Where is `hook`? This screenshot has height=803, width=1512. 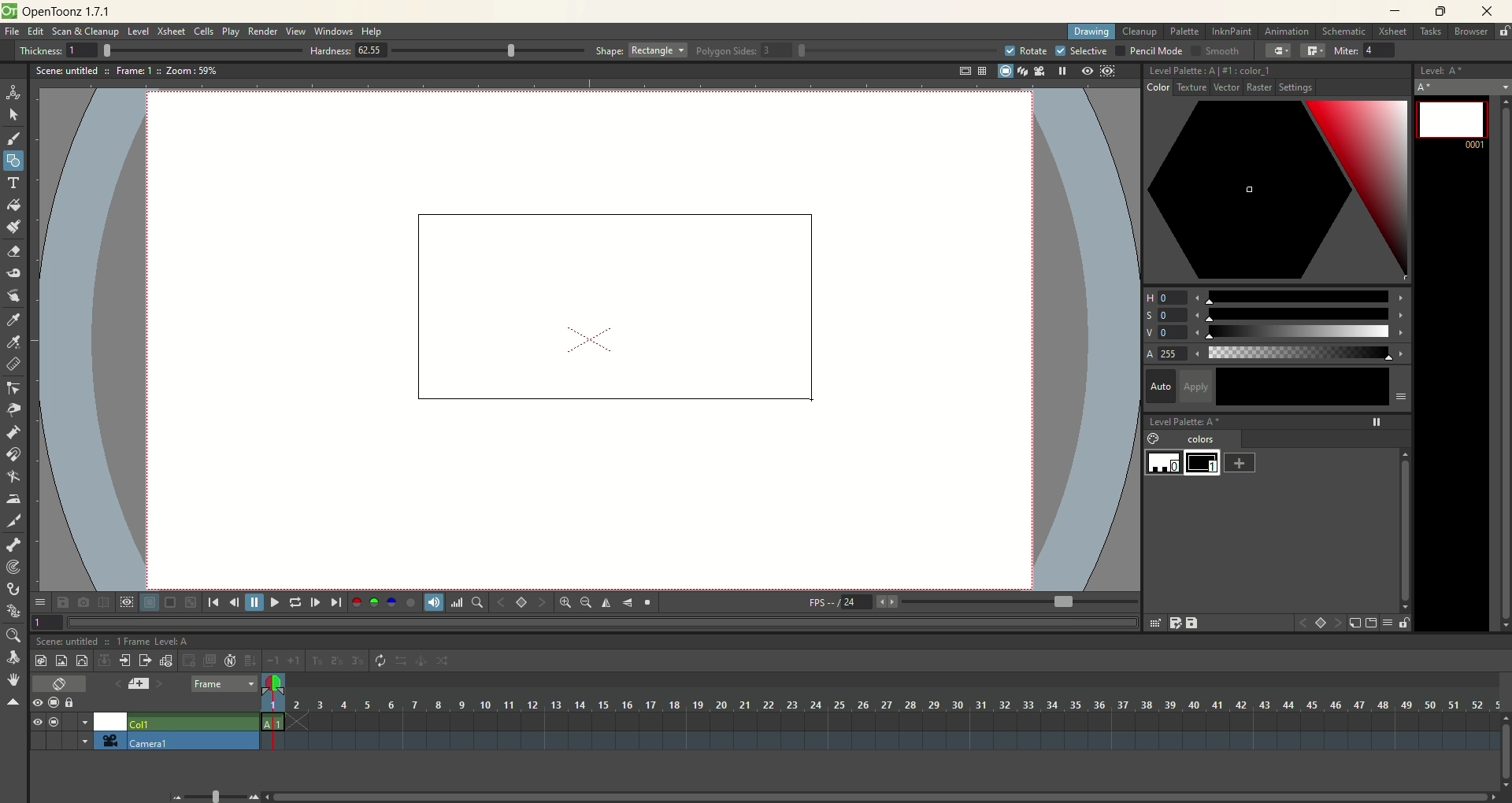
hook is located at coordinates (15, 590).